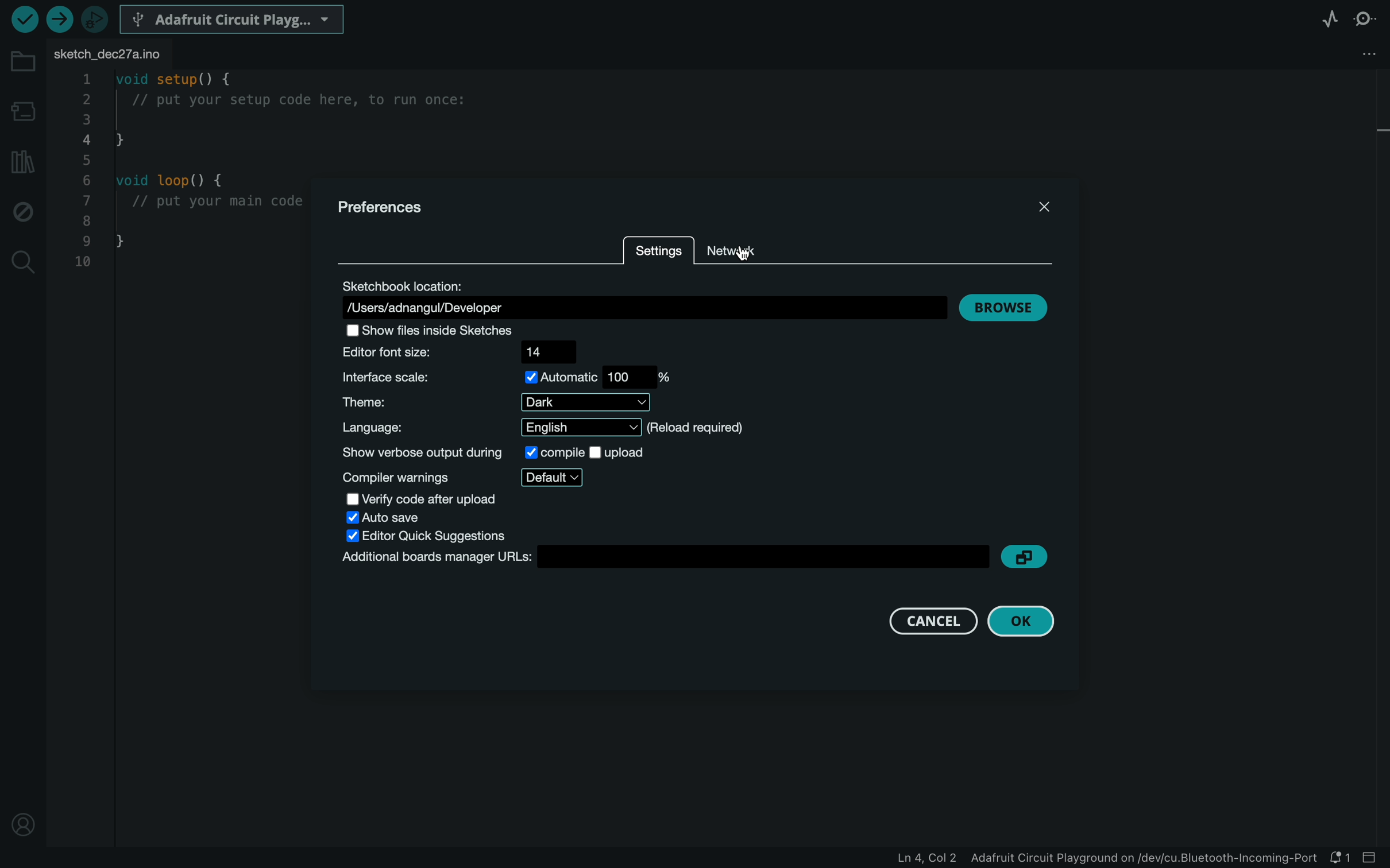 The image size is (1390, 868). I want to click on editor quick, so click(431, 536).